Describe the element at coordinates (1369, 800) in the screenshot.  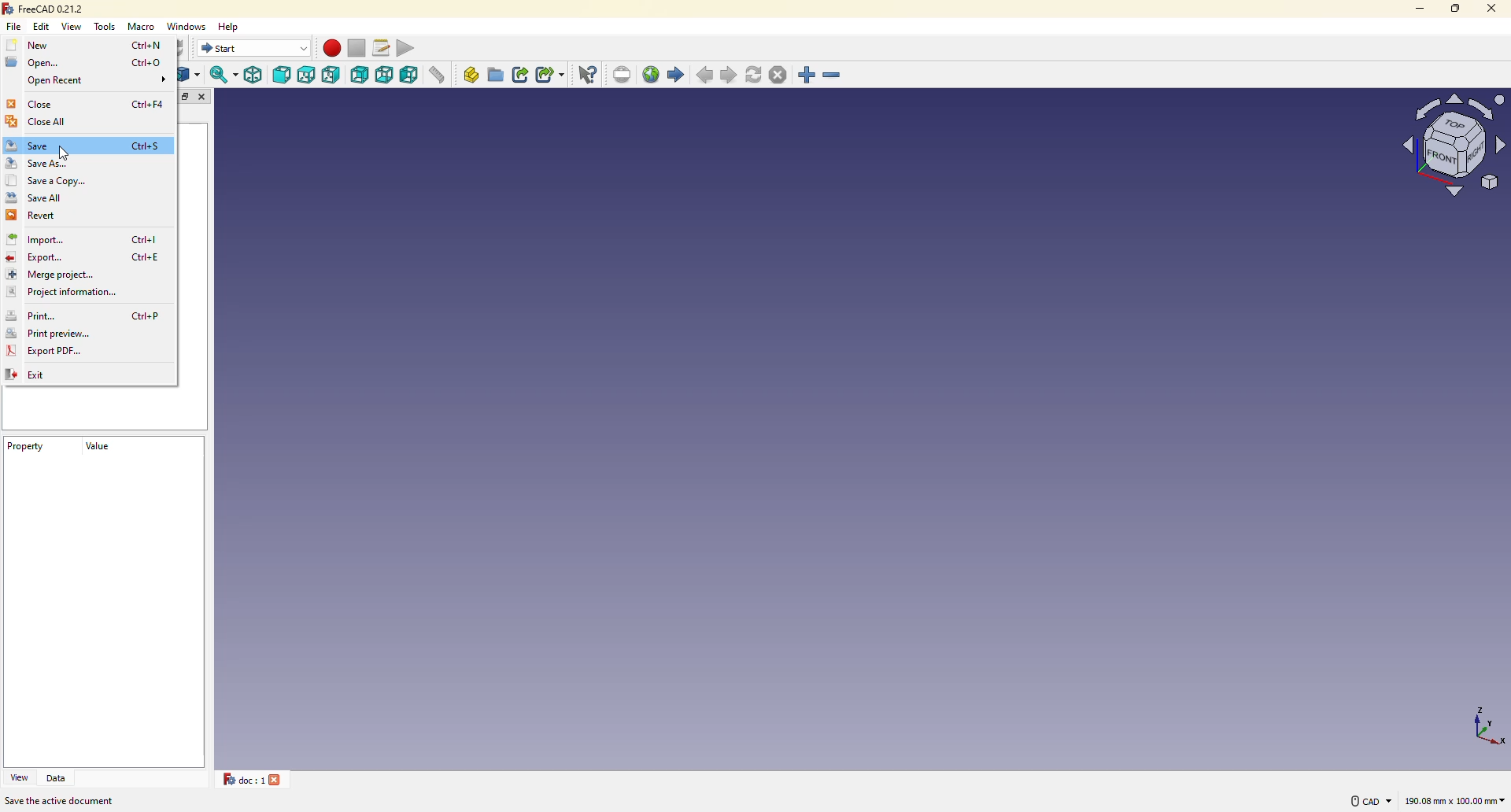
I see `cad navigation` at that location.